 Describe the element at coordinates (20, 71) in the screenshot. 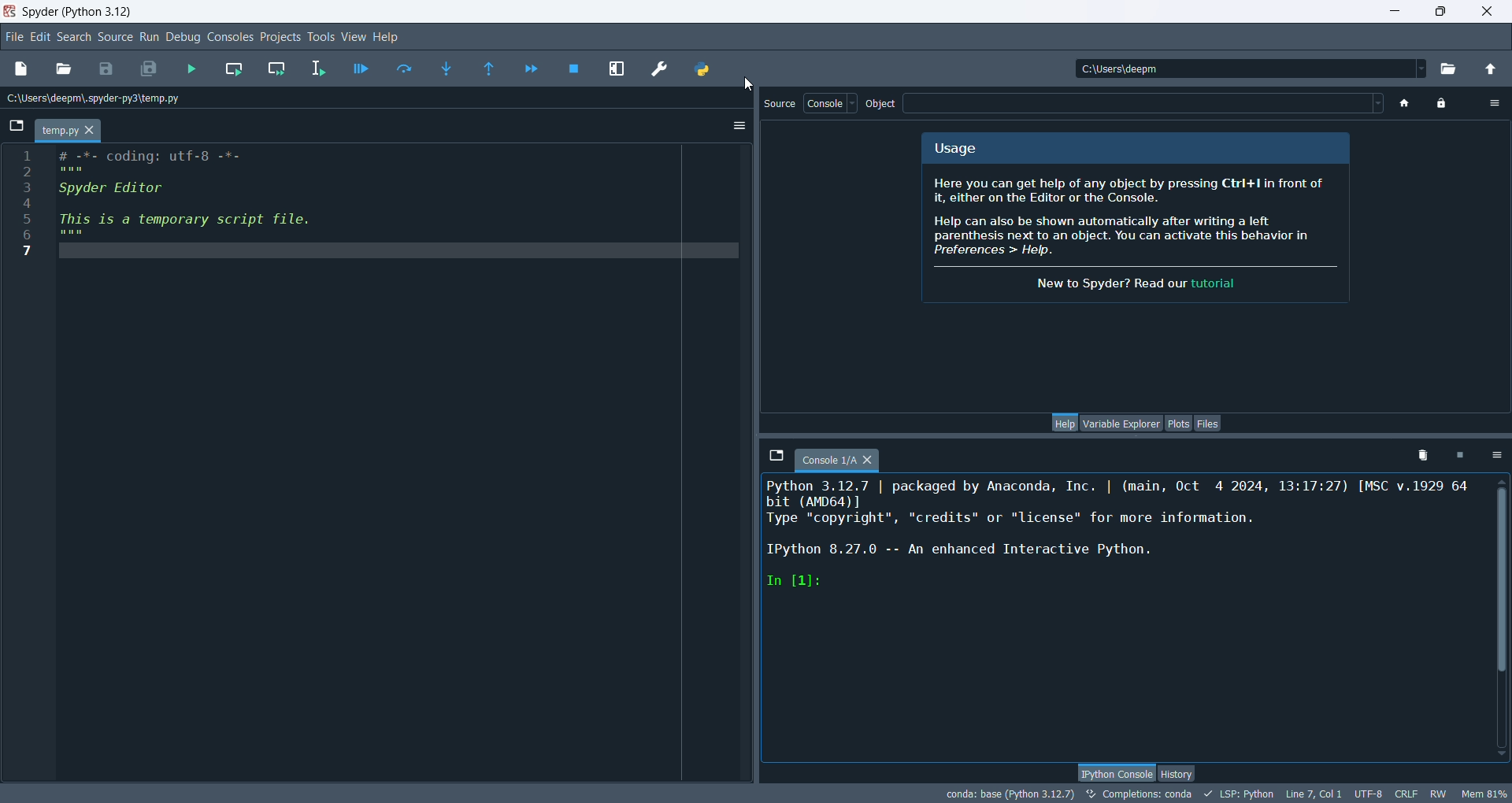

I see `new` at that location.